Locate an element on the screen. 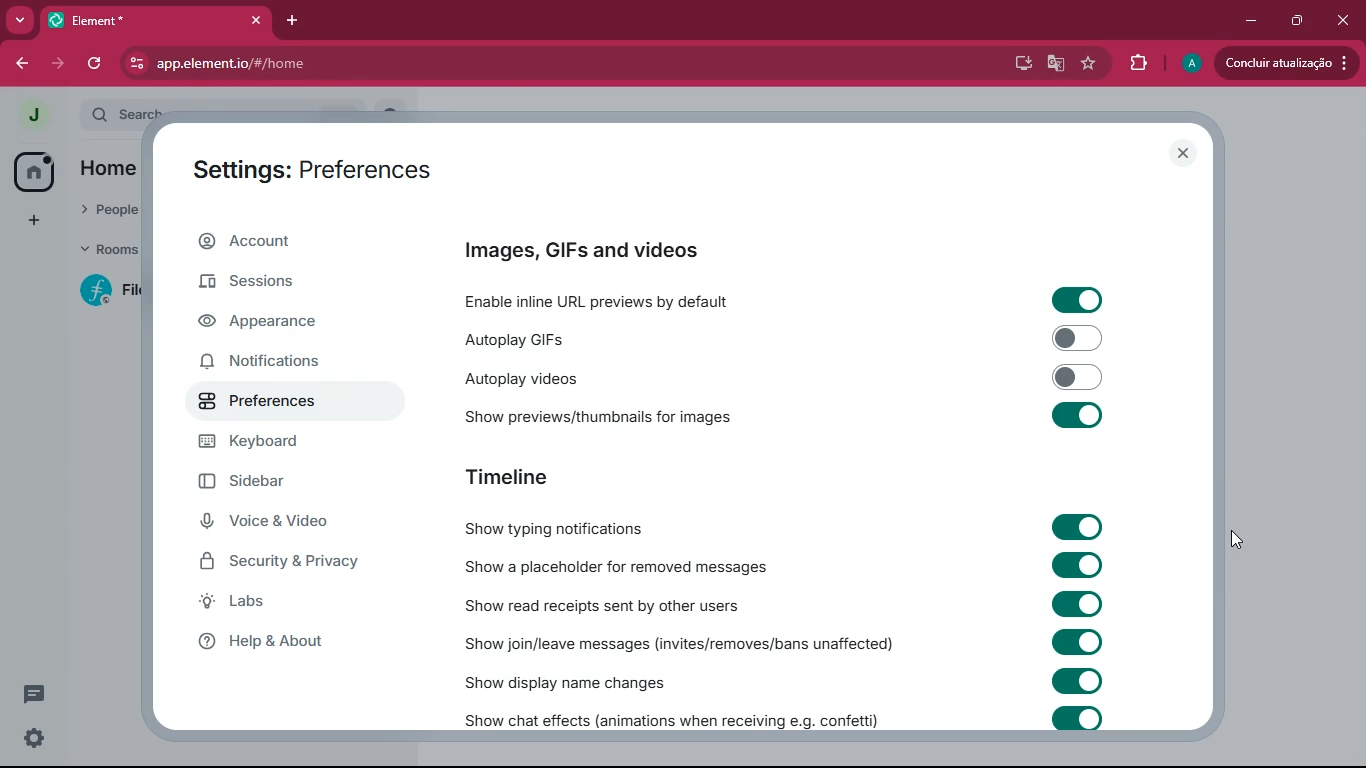  keyboard is located at coordinates (262, 443).